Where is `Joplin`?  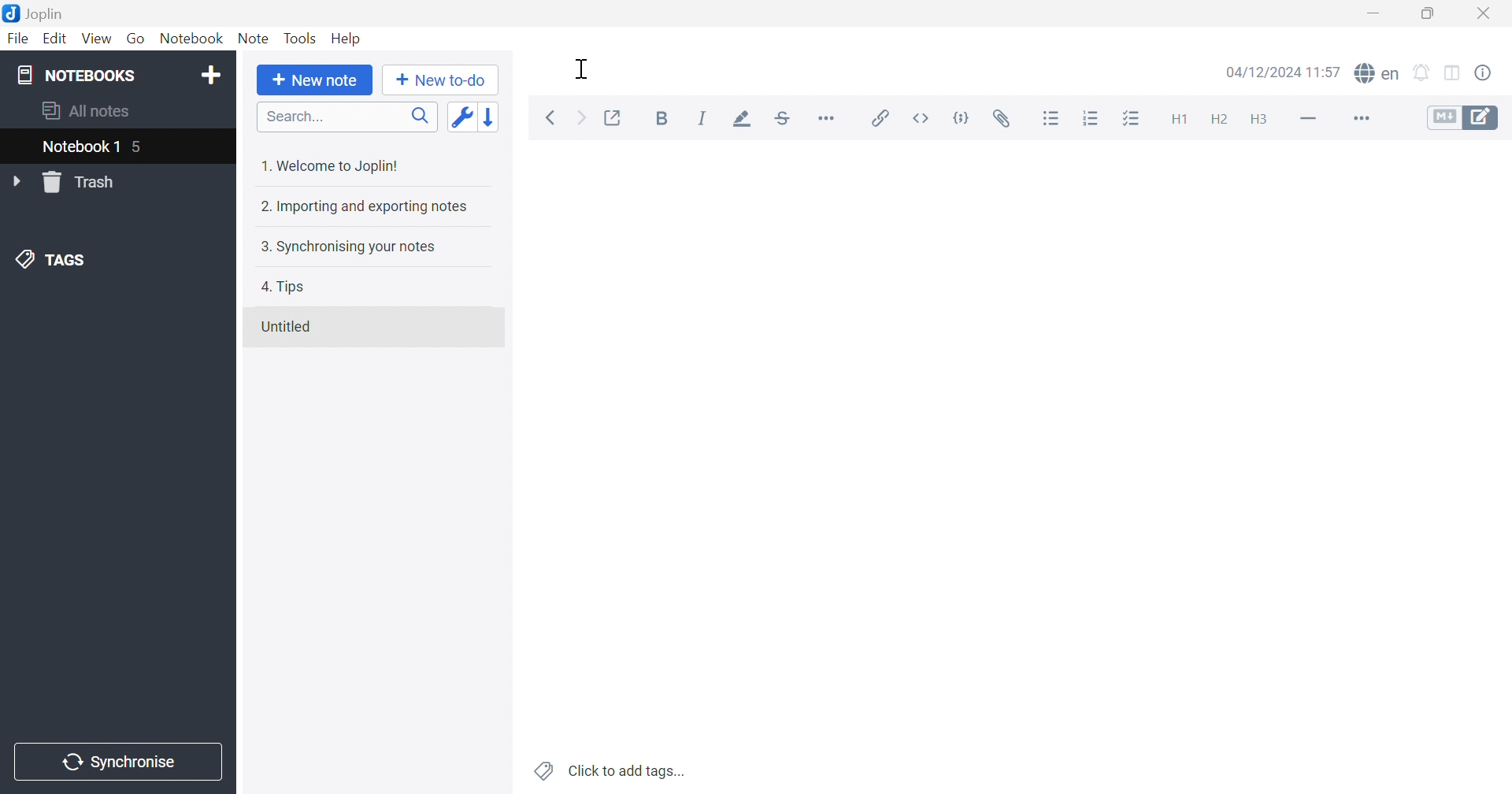
Joplin is located at coordinates (35, 13).